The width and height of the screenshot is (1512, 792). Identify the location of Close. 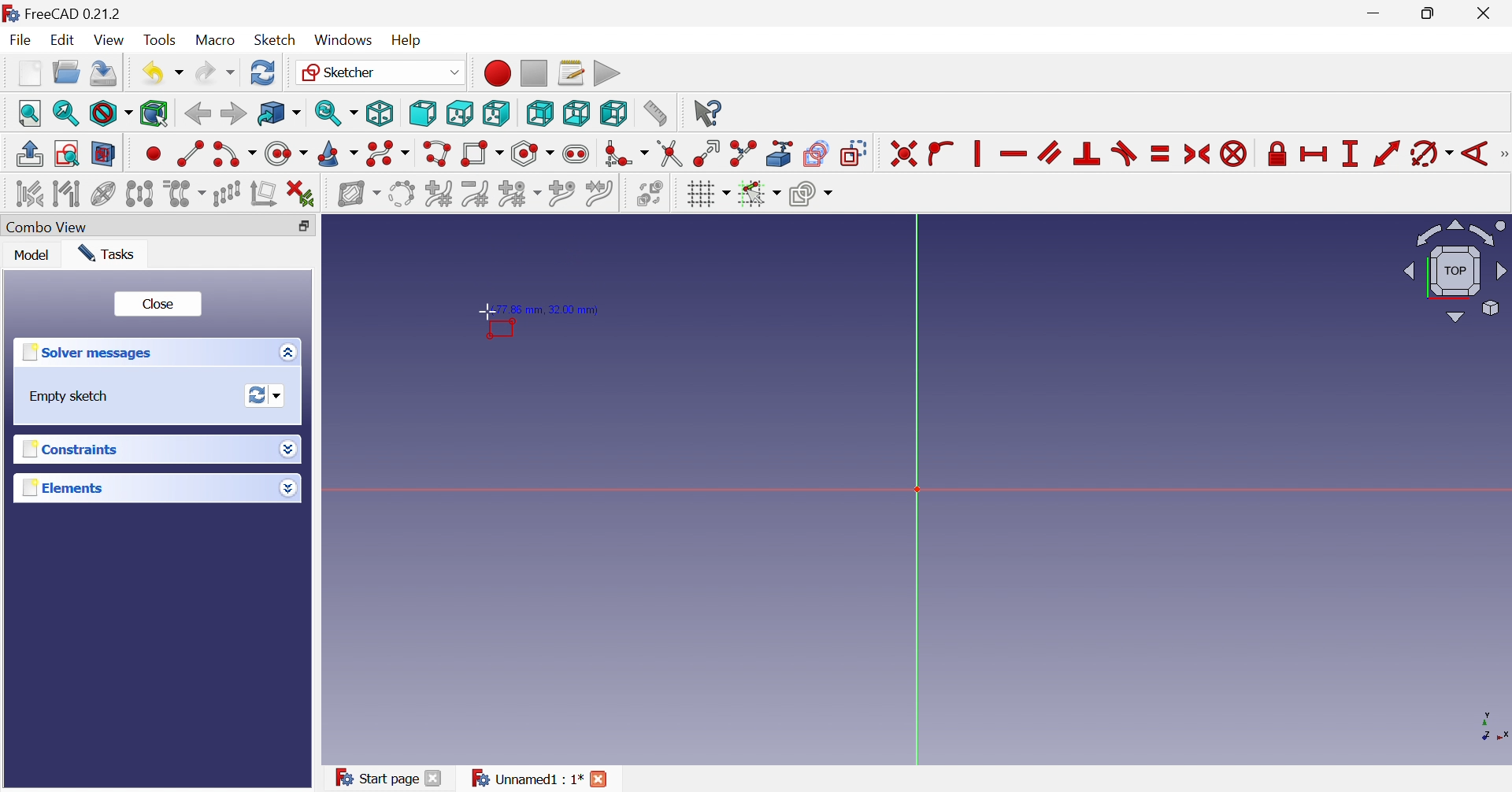
(1487, 14).